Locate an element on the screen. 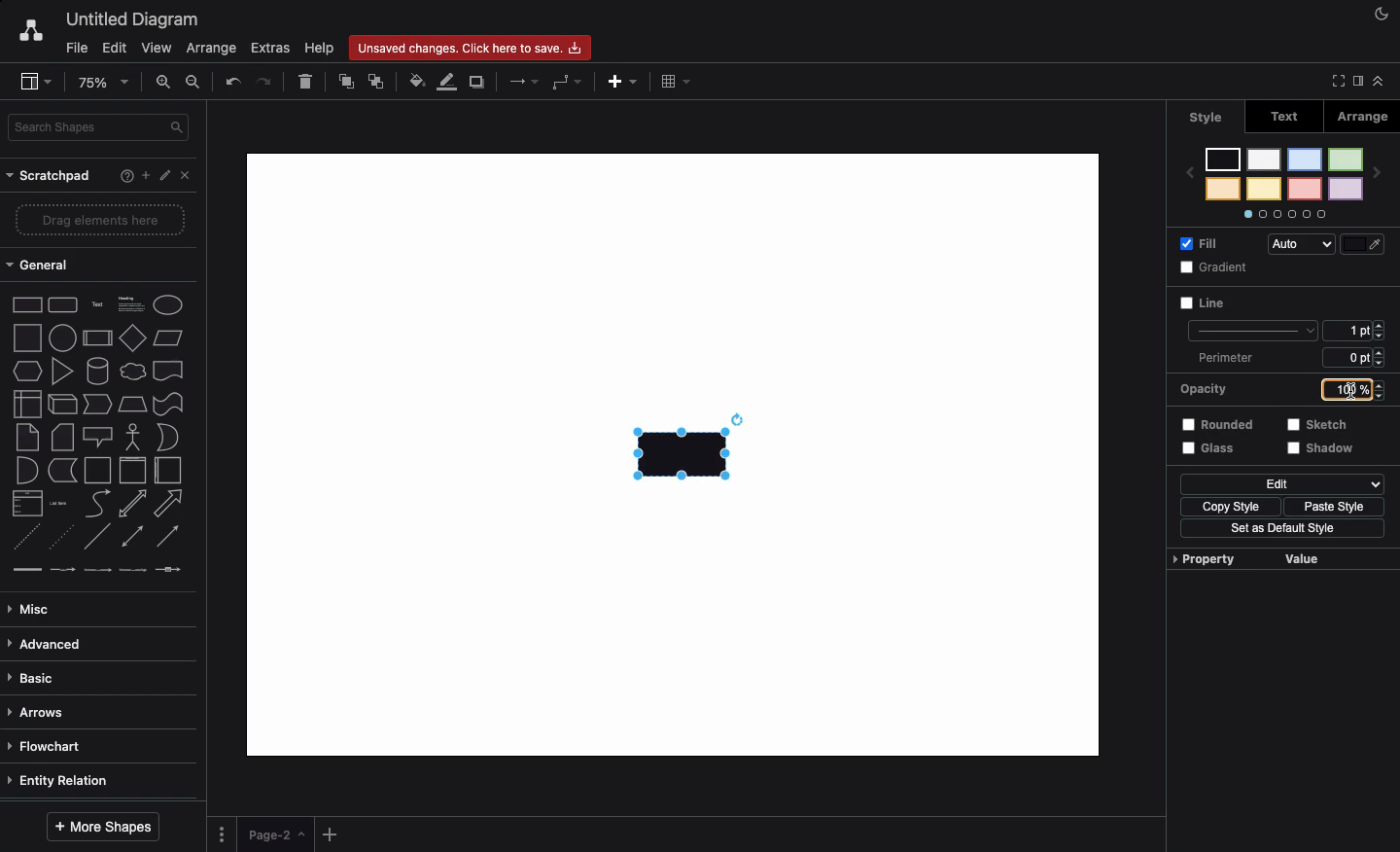 This screenshot has width=1400, height=852. Arrange is located at coordinates (1367, 120).